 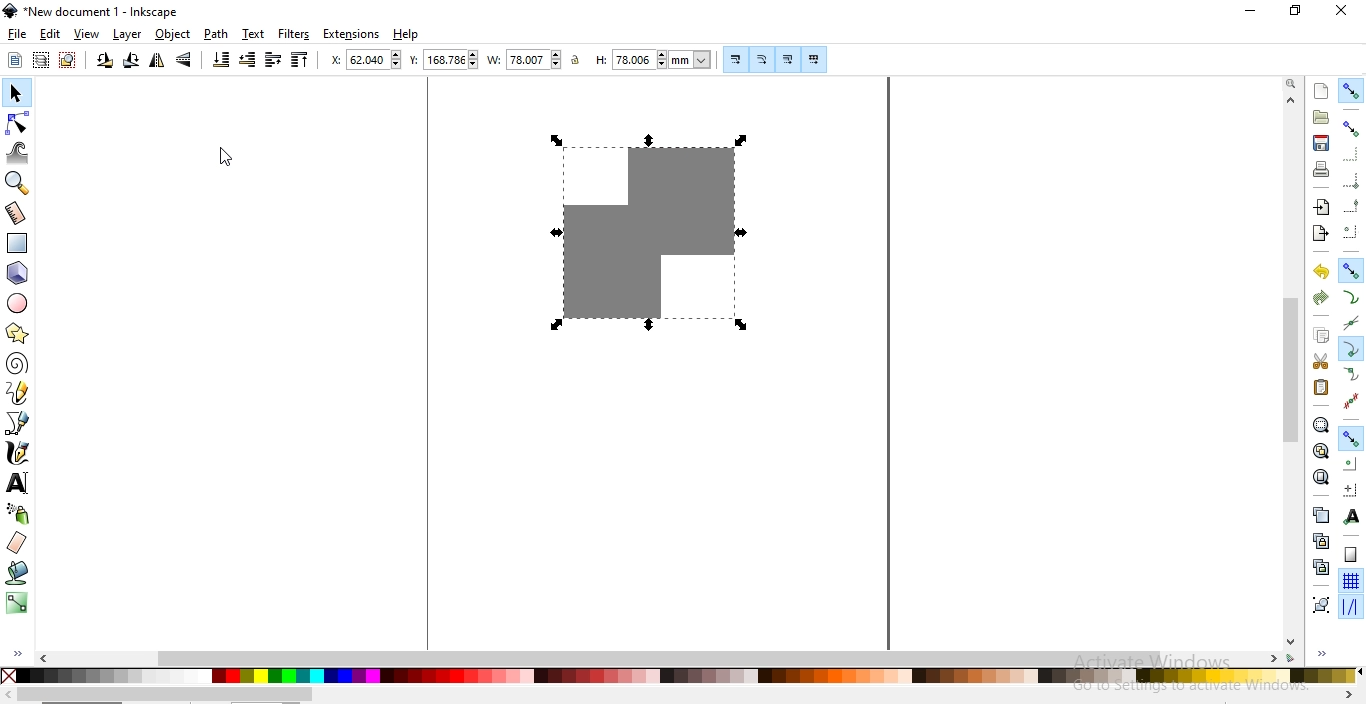 What do you see at coordinates (1351, 555) in the screenshot?
I see `snap to page border` at bounding box center [1351, 555].